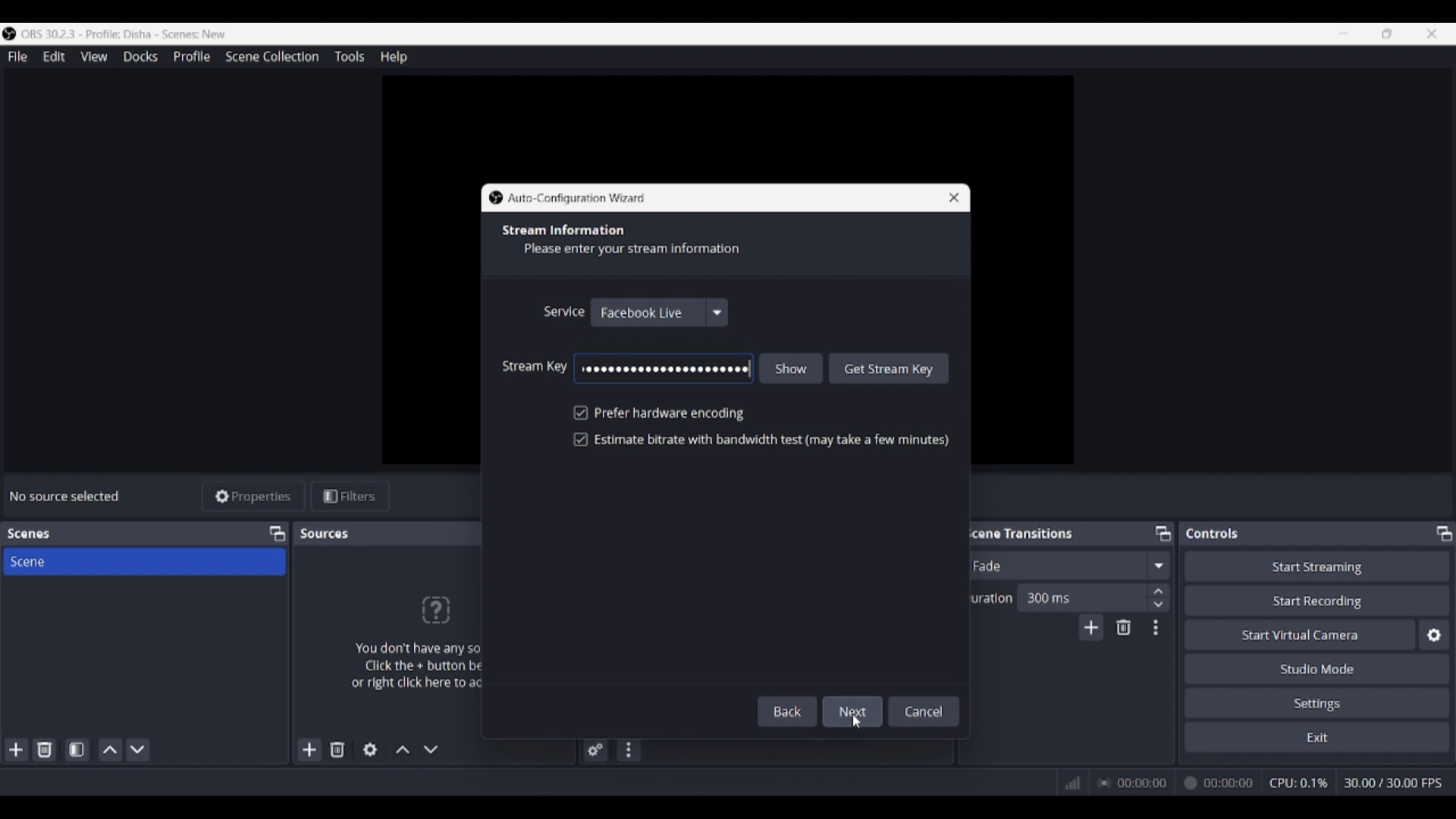 The image size is (1456, 819). I want to click on Transition properties, so click(1156, 628).